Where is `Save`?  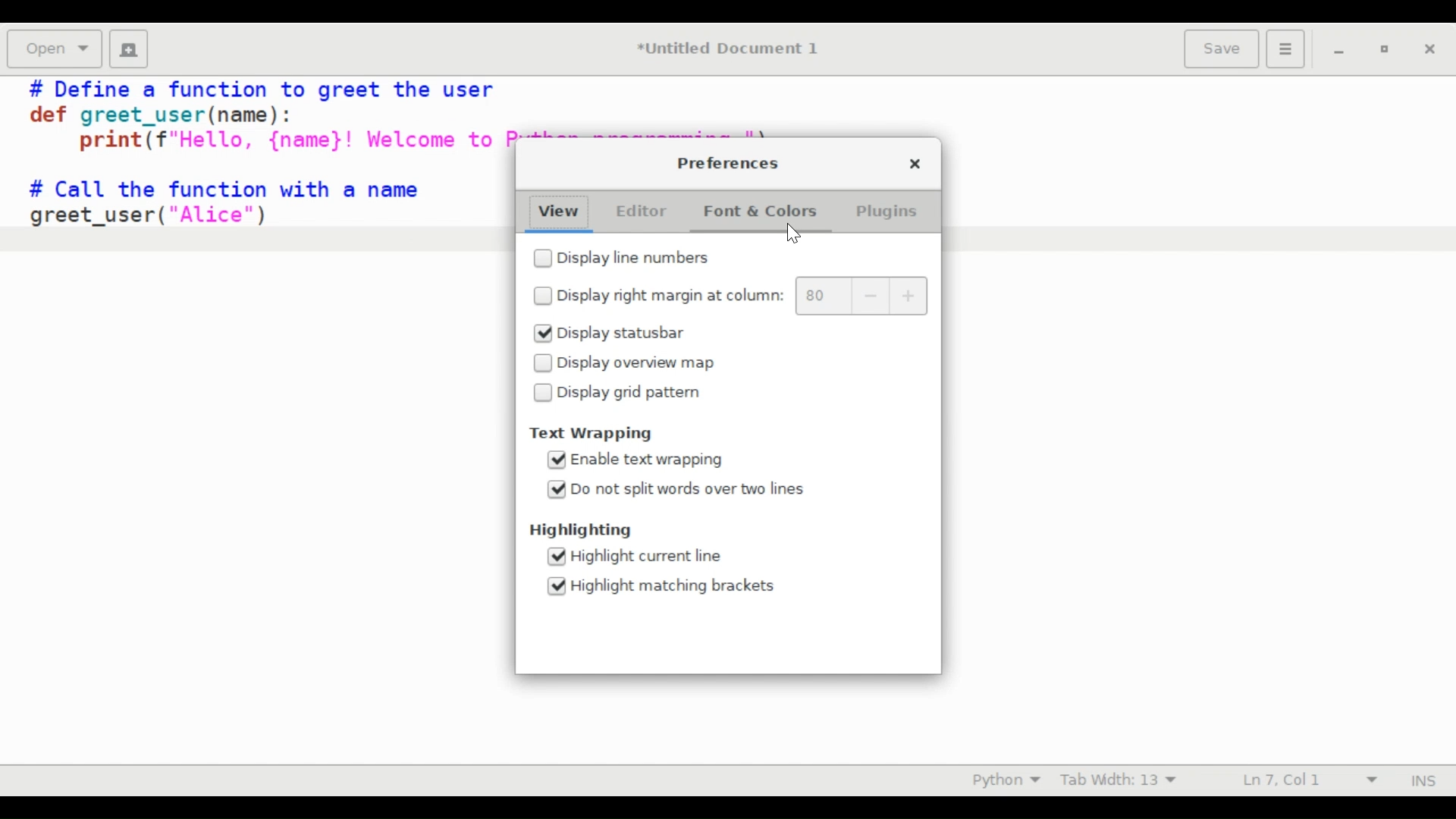 Save is located at coordinates (1223, 48).